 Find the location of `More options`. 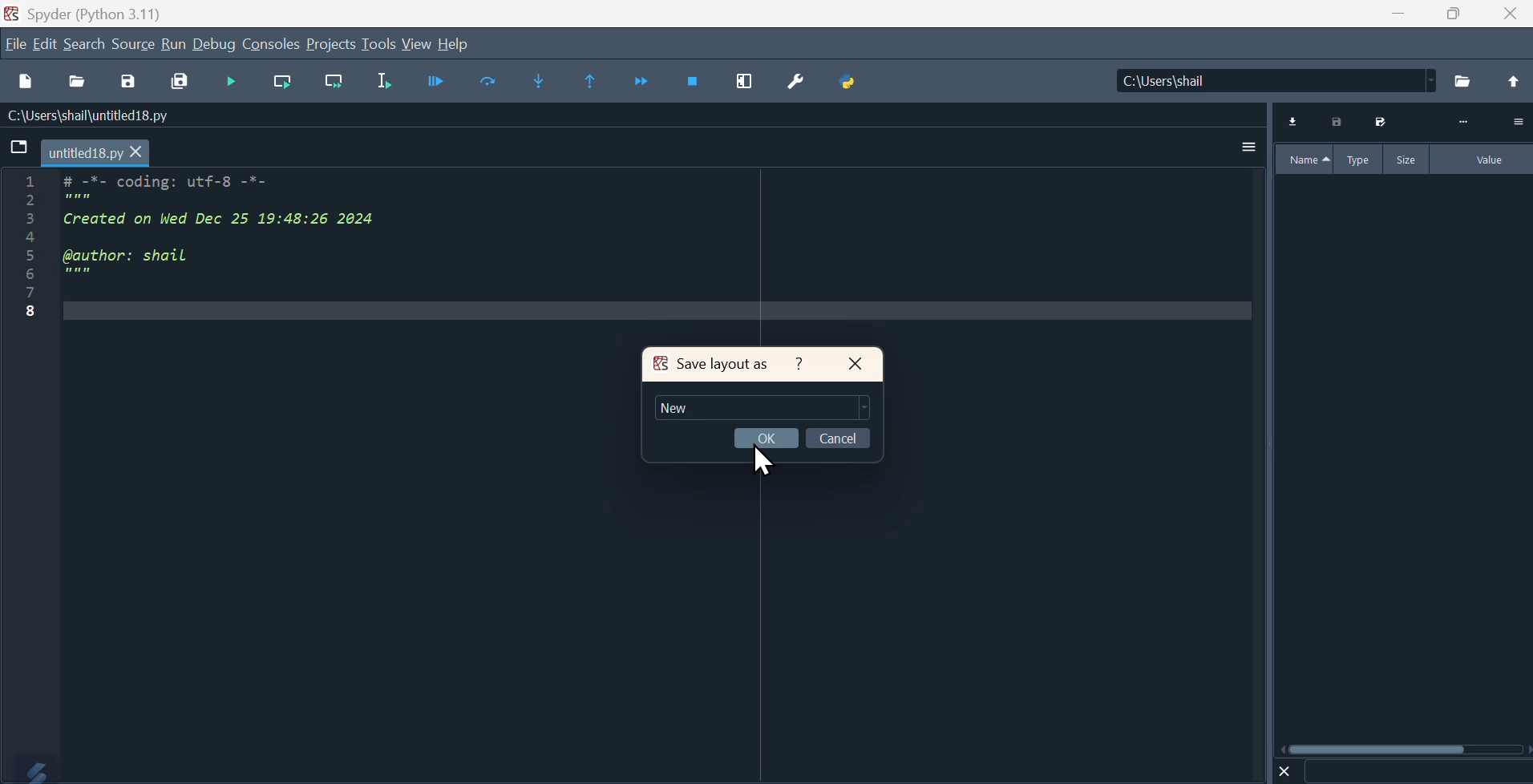

More options is located at coordinates (1249, 146).